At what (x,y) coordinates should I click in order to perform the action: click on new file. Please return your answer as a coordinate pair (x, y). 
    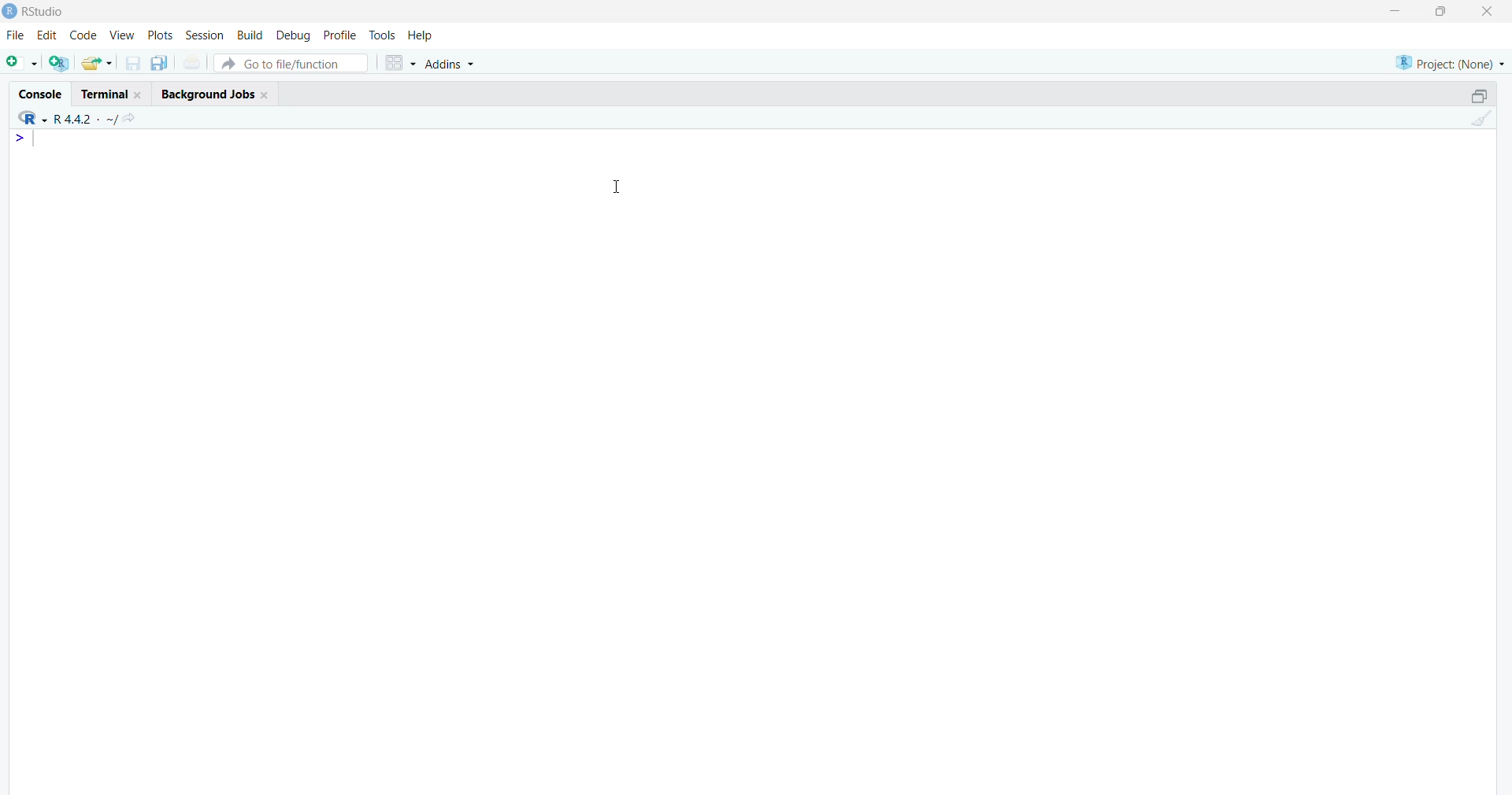
    Looking at the image, I should click on (21, 65).